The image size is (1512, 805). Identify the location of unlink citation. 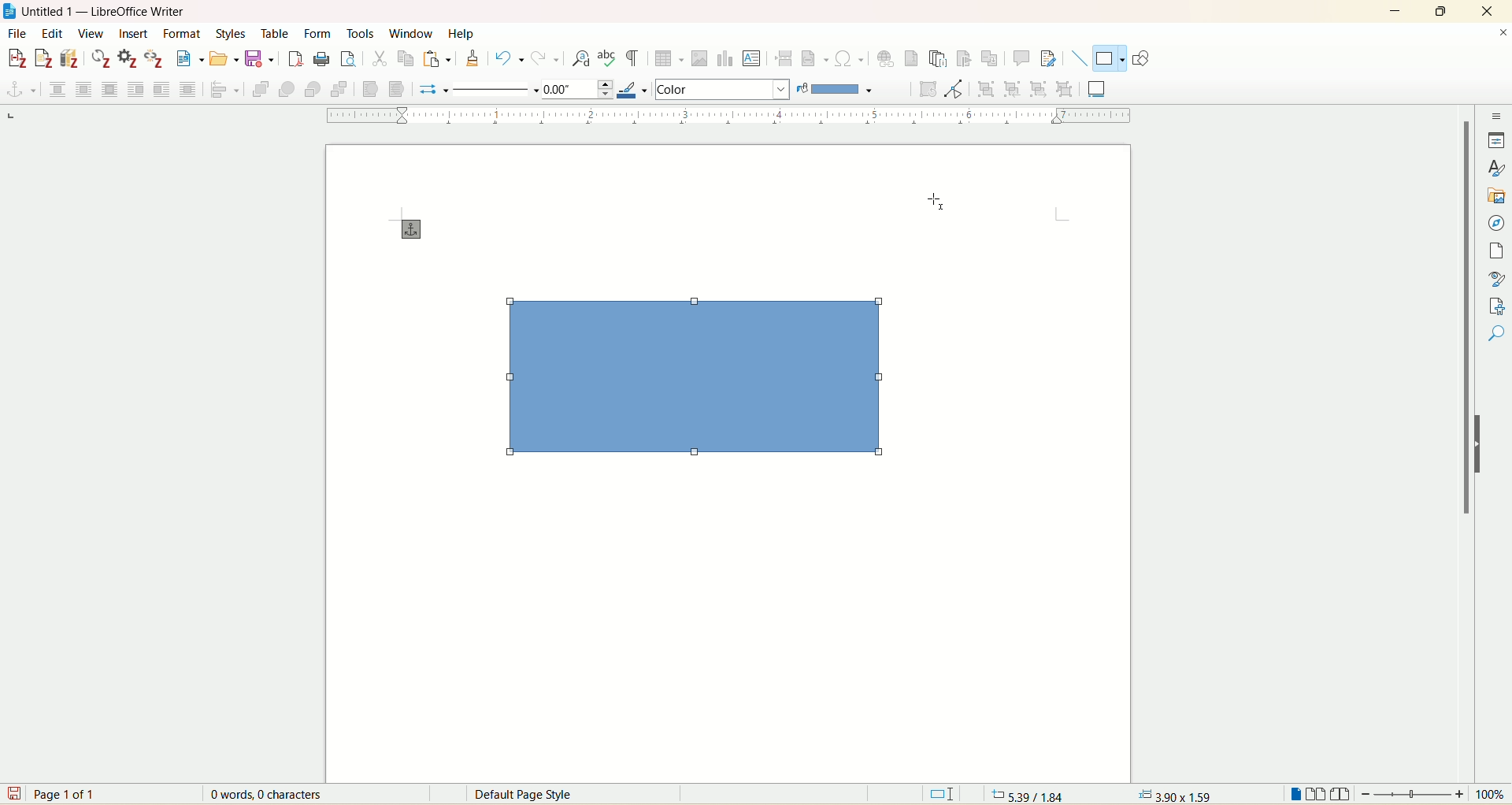
(155, 58).